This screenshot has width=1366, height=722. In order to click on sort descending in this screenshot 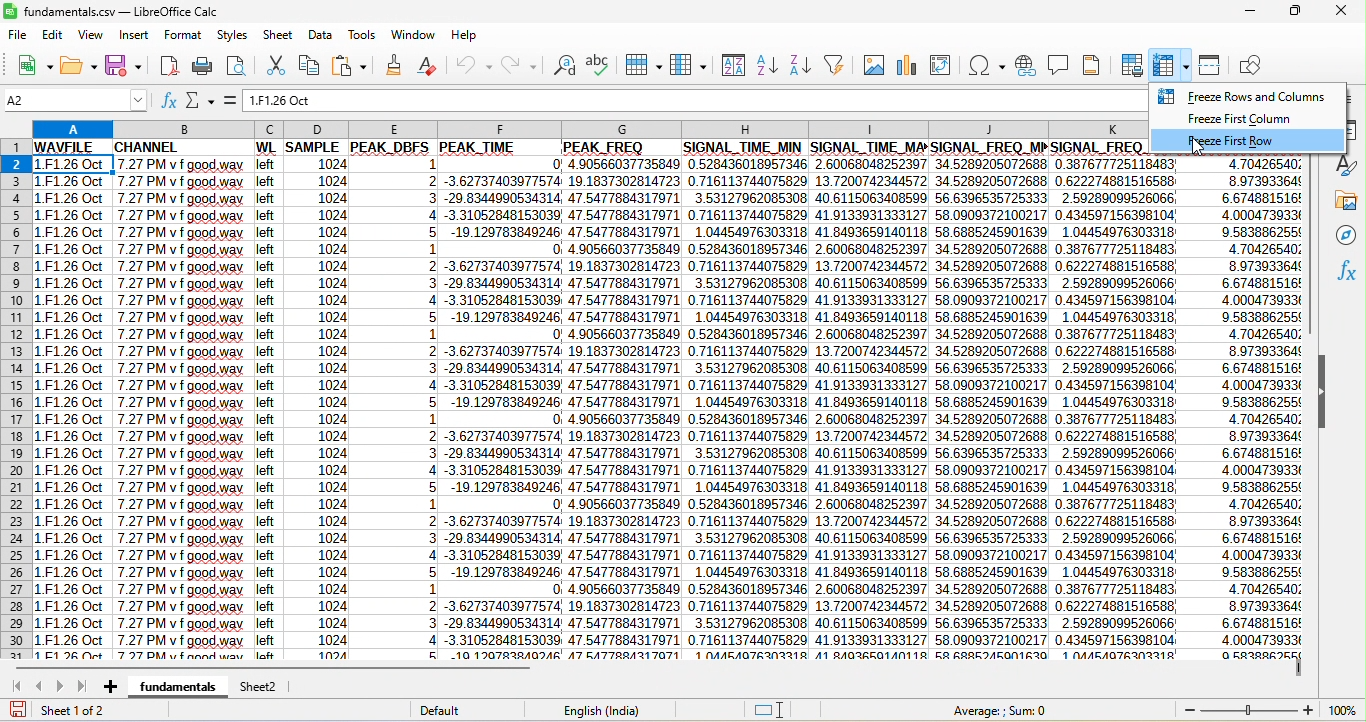, I will do `click(798, 66)`.